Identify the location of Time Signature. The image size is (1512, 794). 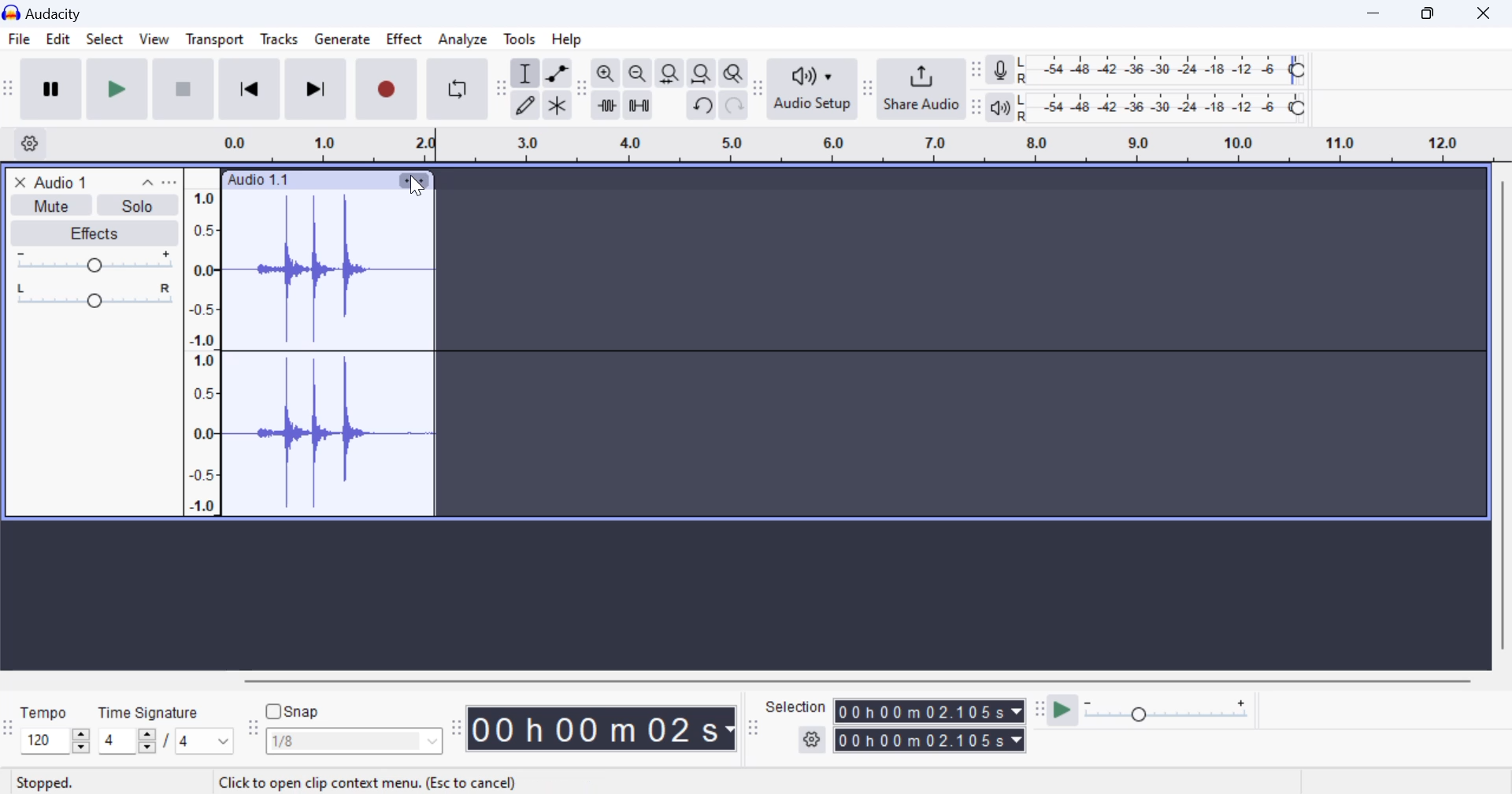
(150, 710).